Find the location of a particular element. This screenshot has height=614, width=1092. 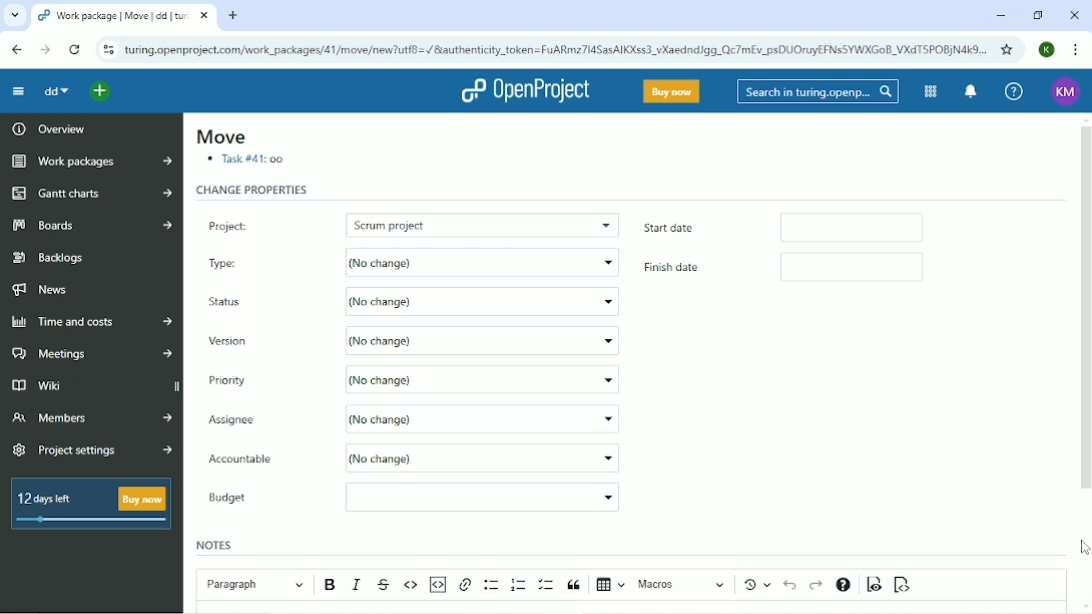

(No change) is located at coordinates (484, 378).